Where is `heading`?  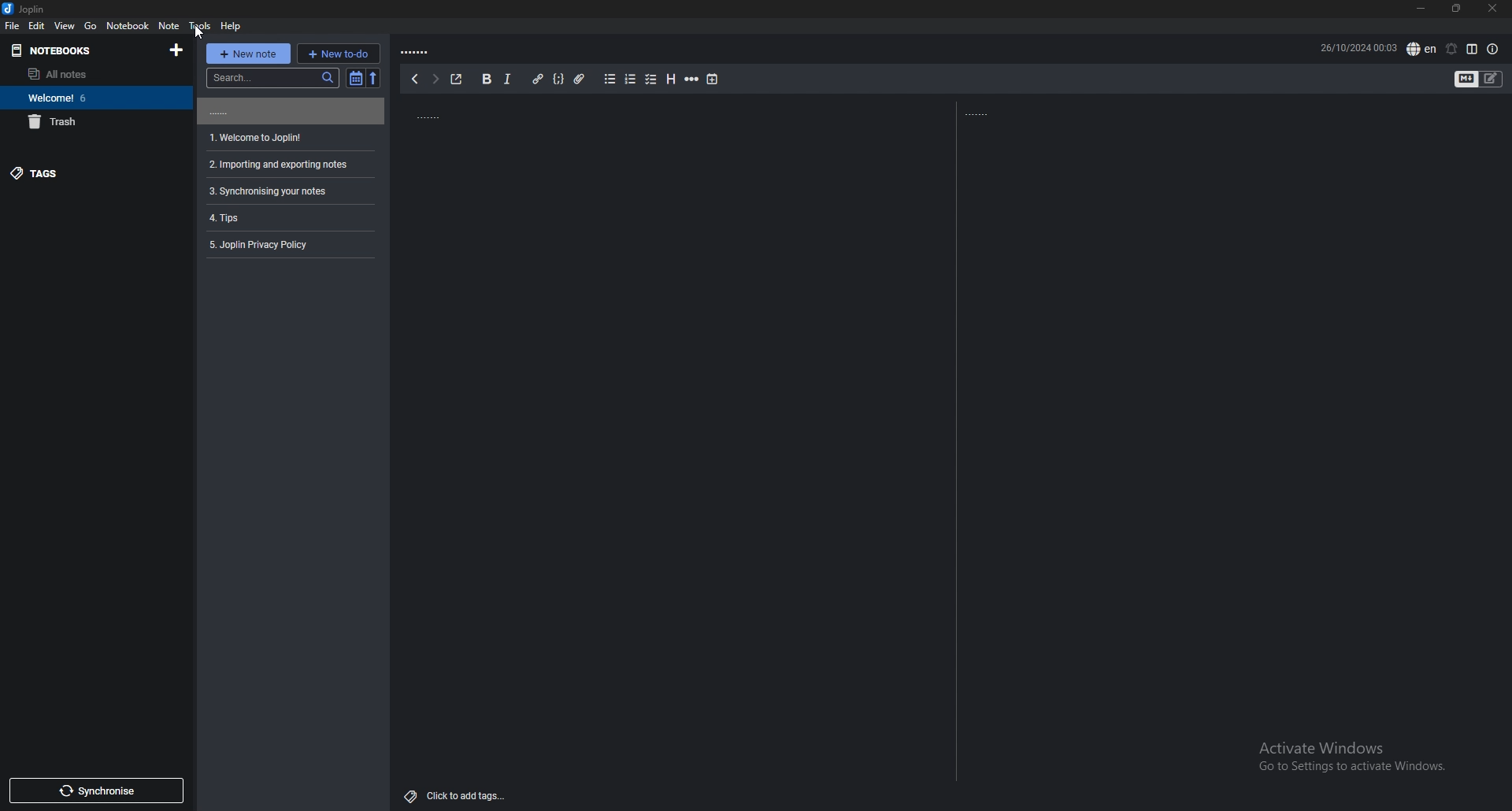
heading is located at coordinates (673, 79).